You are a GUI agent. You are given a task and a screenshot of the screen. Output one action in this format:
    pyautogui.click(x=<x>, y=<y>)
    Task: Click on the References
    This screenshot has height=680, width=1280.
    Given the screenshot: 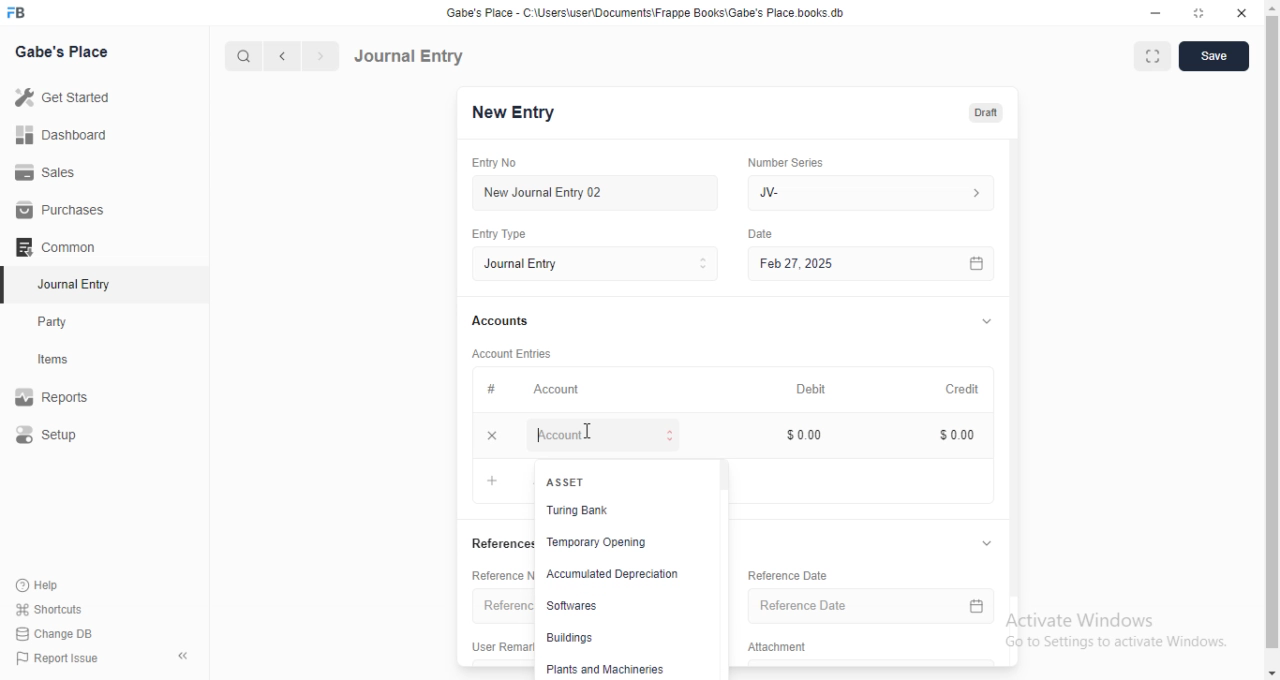 What is the action you would take?
    pyautogui.click(x=499, y=544)
    